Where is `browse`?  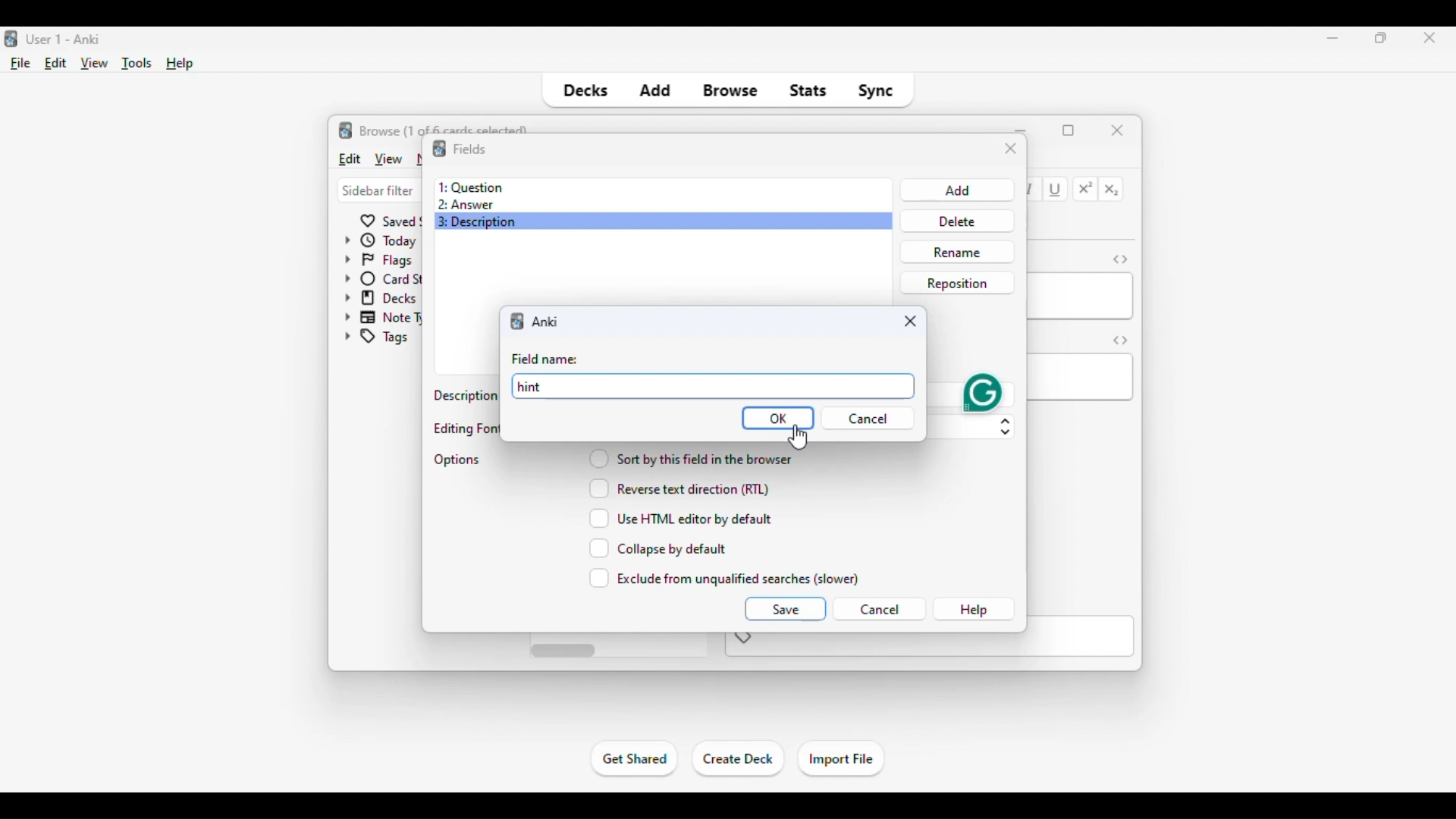 browse is located at coordinates (731, 91).